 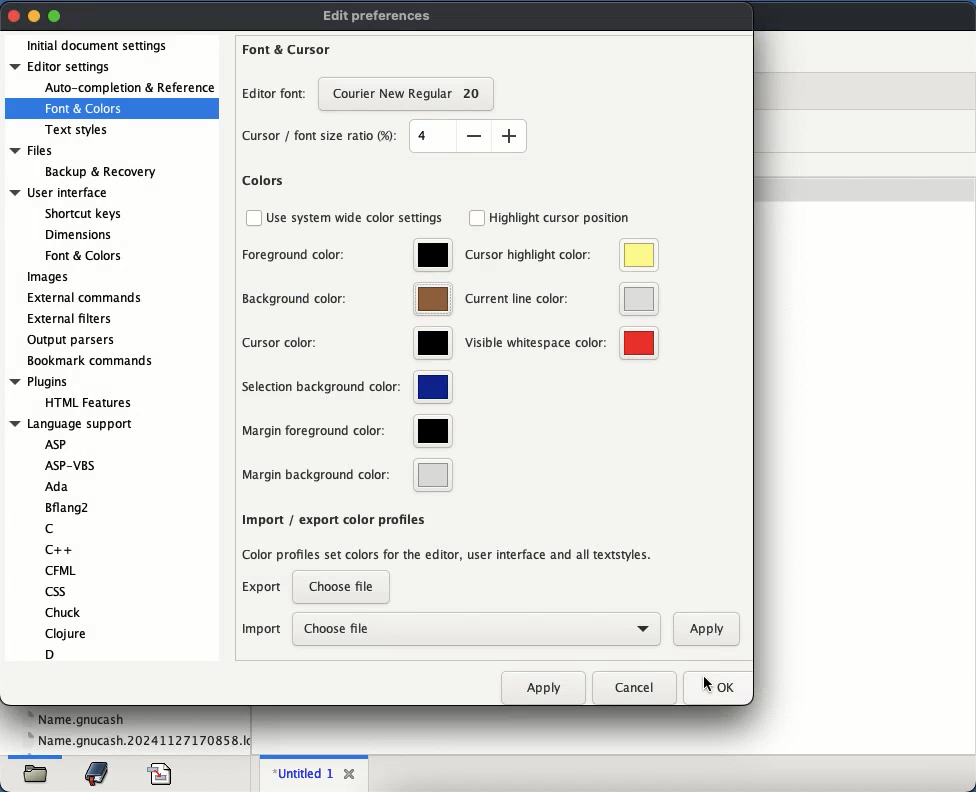 I want to click on minimize, so click(x=34, y=15).